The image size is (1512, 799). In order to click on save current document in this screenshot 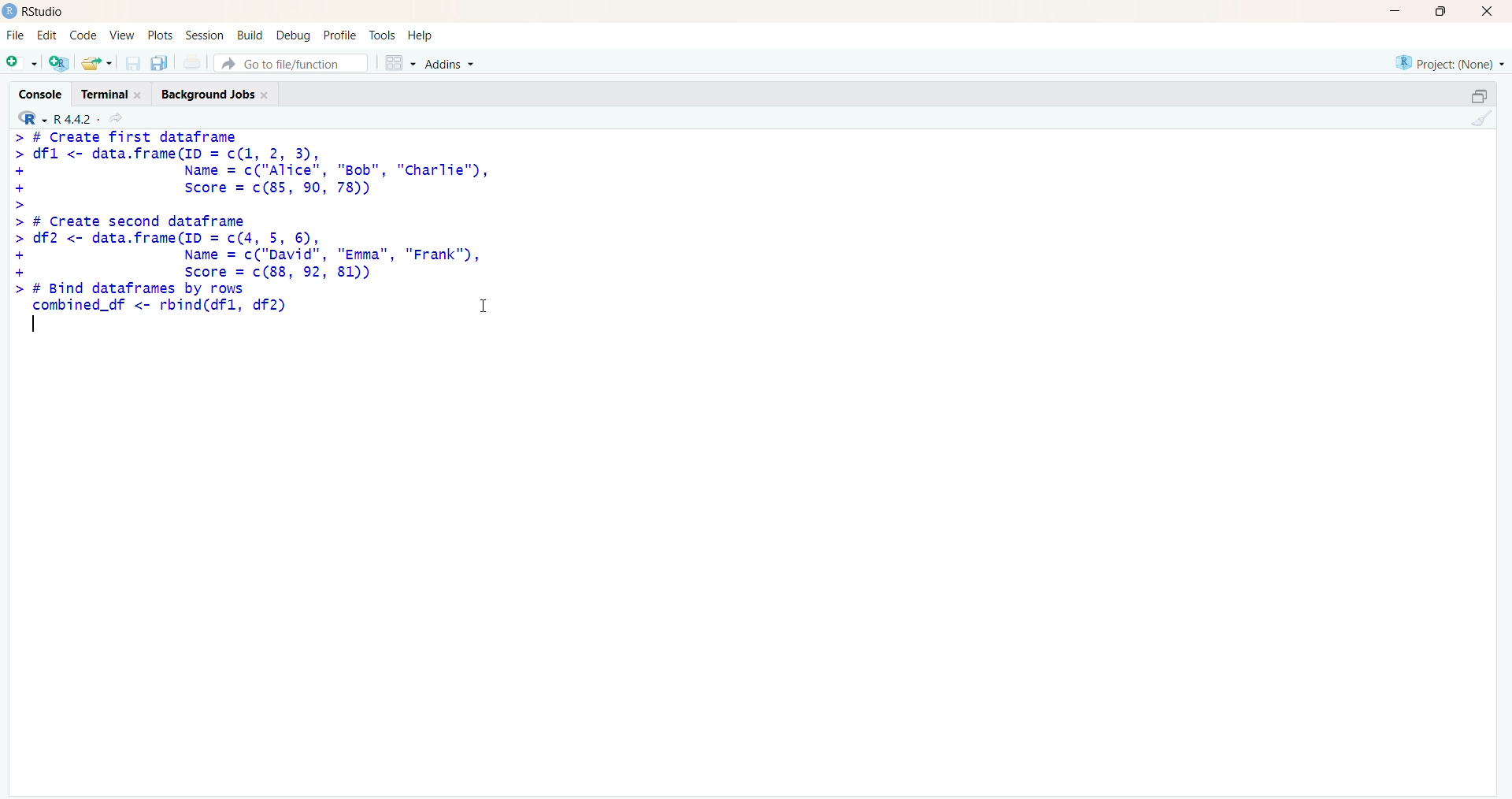, I will do `click(133, 64)`.